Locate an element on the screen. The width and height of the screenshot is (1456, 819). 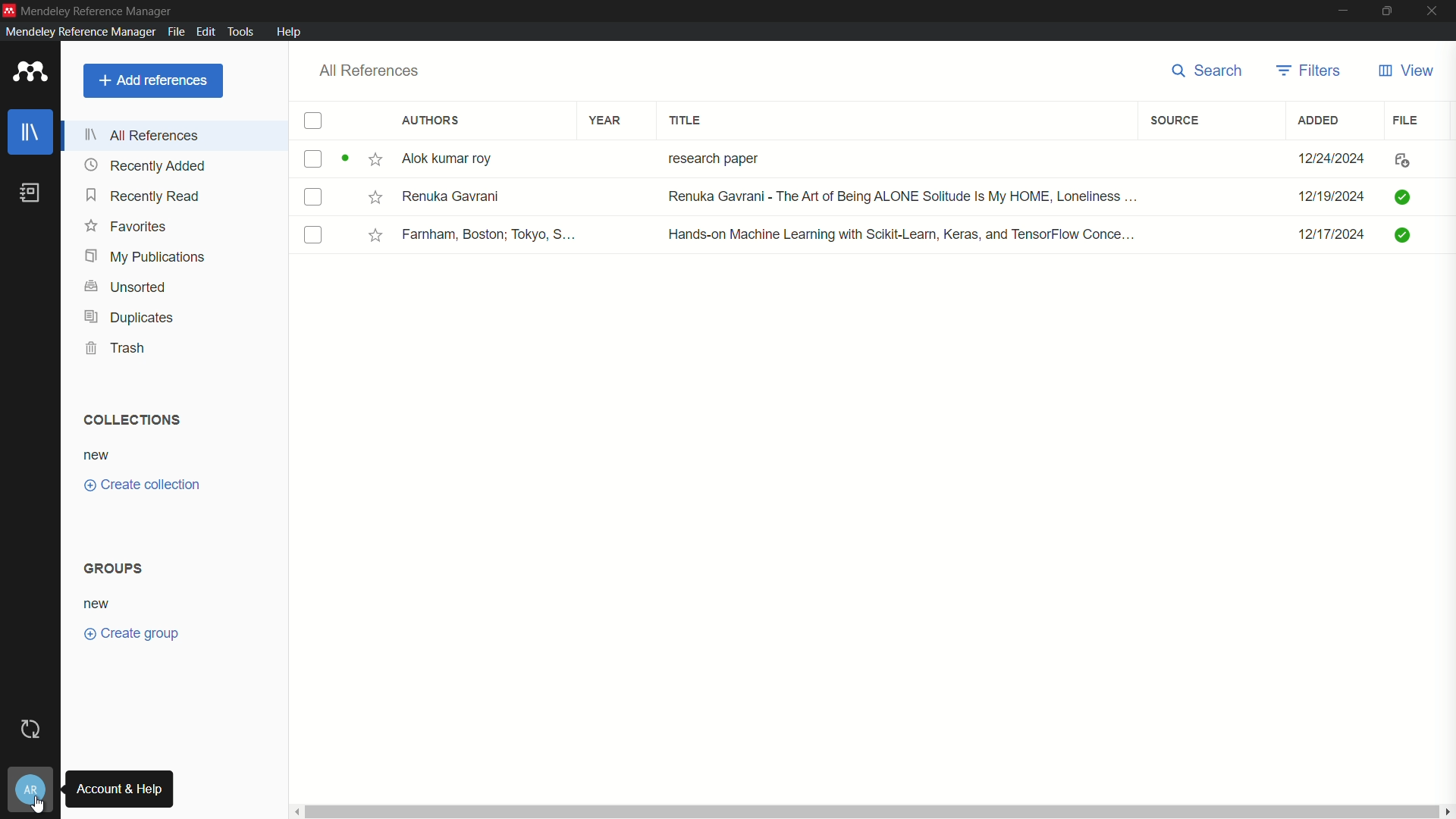
year is located at coordinates (608, 121).